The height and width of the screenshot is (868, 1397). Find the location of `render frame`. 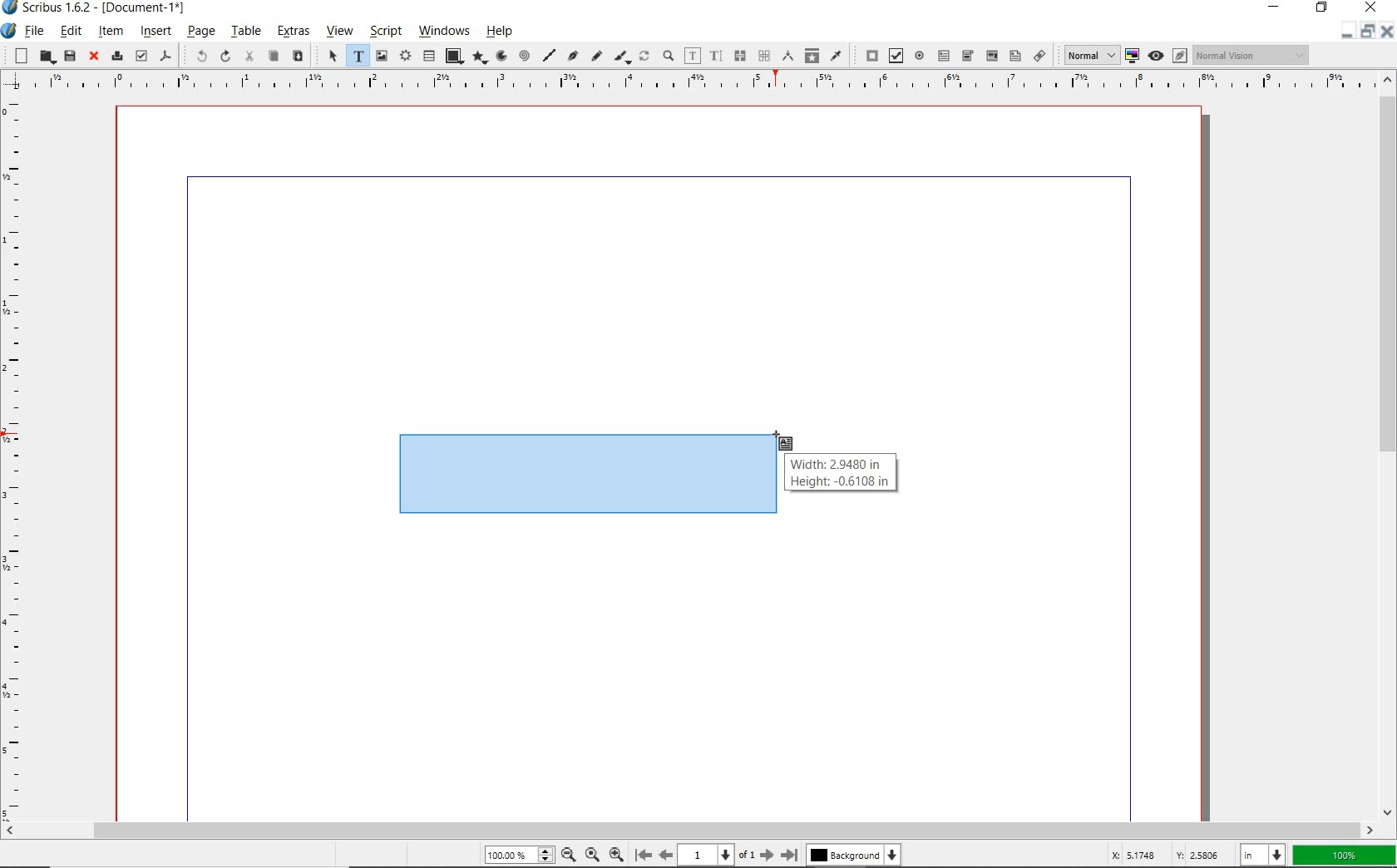

render frame is located at coordinates (405, 57).